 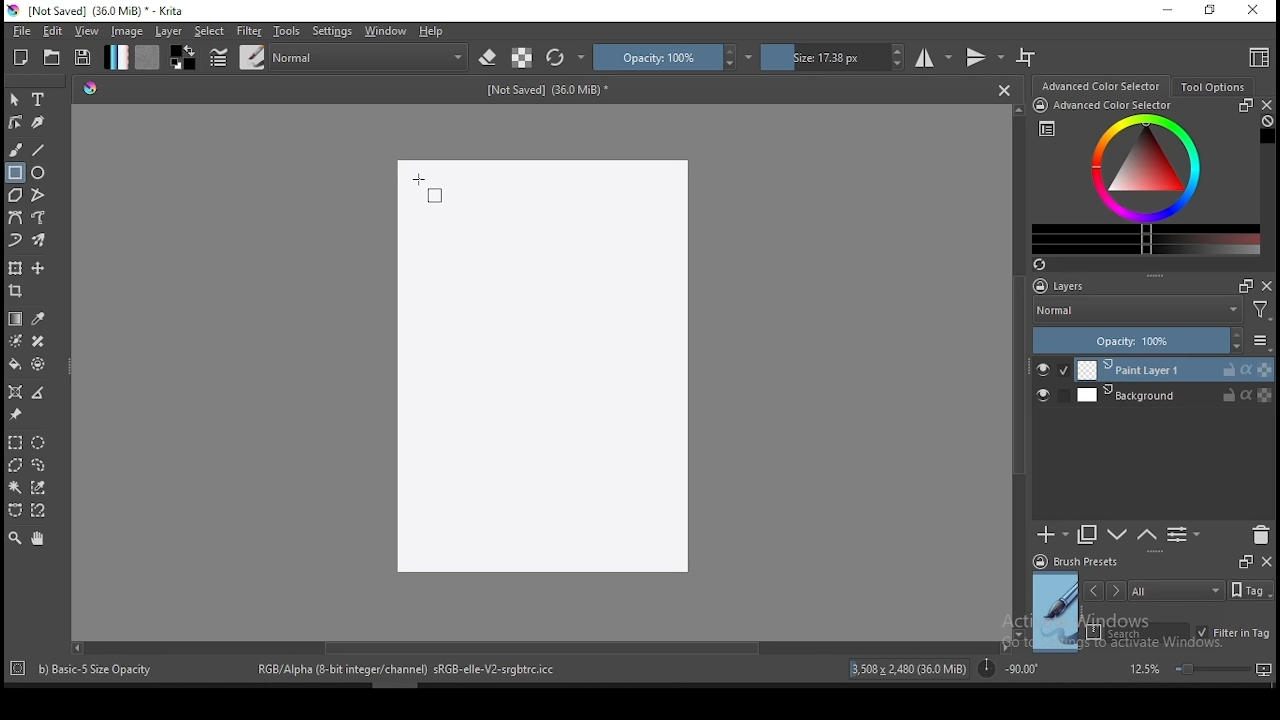 I want to click on paint bucket tool, so click(x=15, y=364).